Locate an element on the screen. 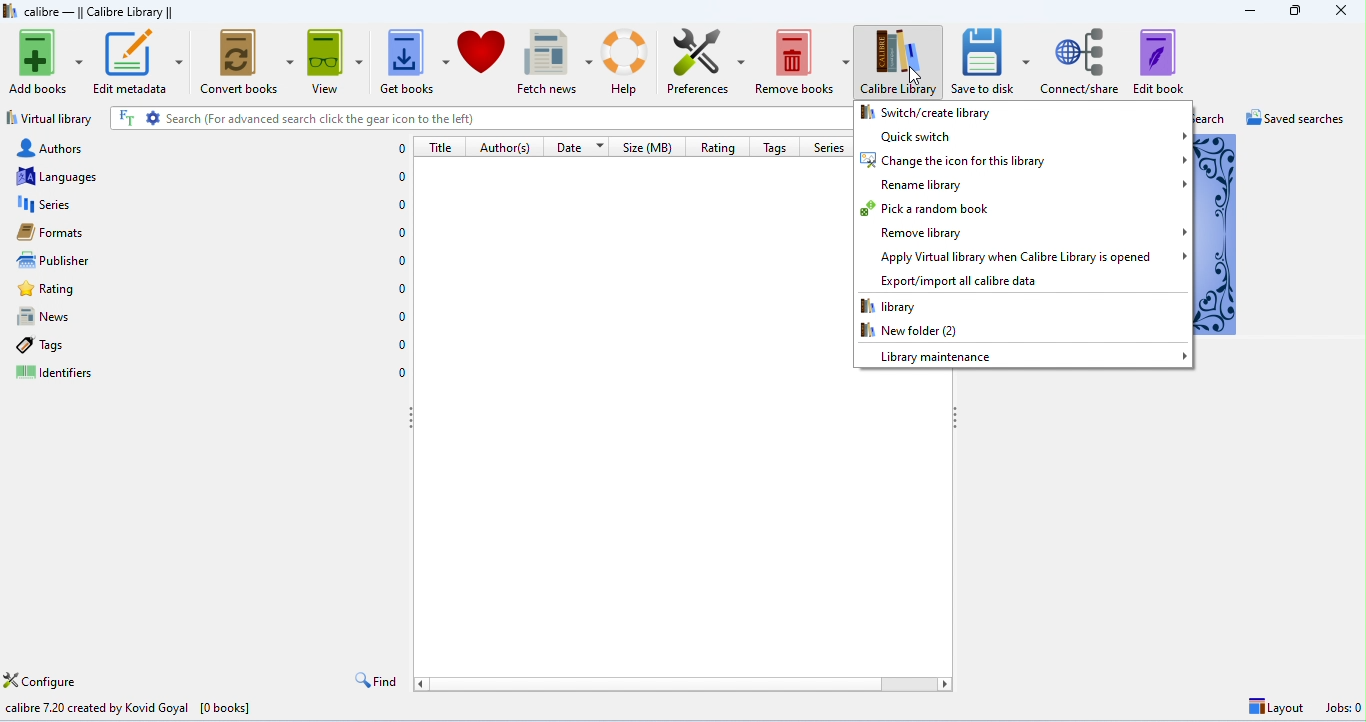  identifiers is located at coordinates (210, 372).